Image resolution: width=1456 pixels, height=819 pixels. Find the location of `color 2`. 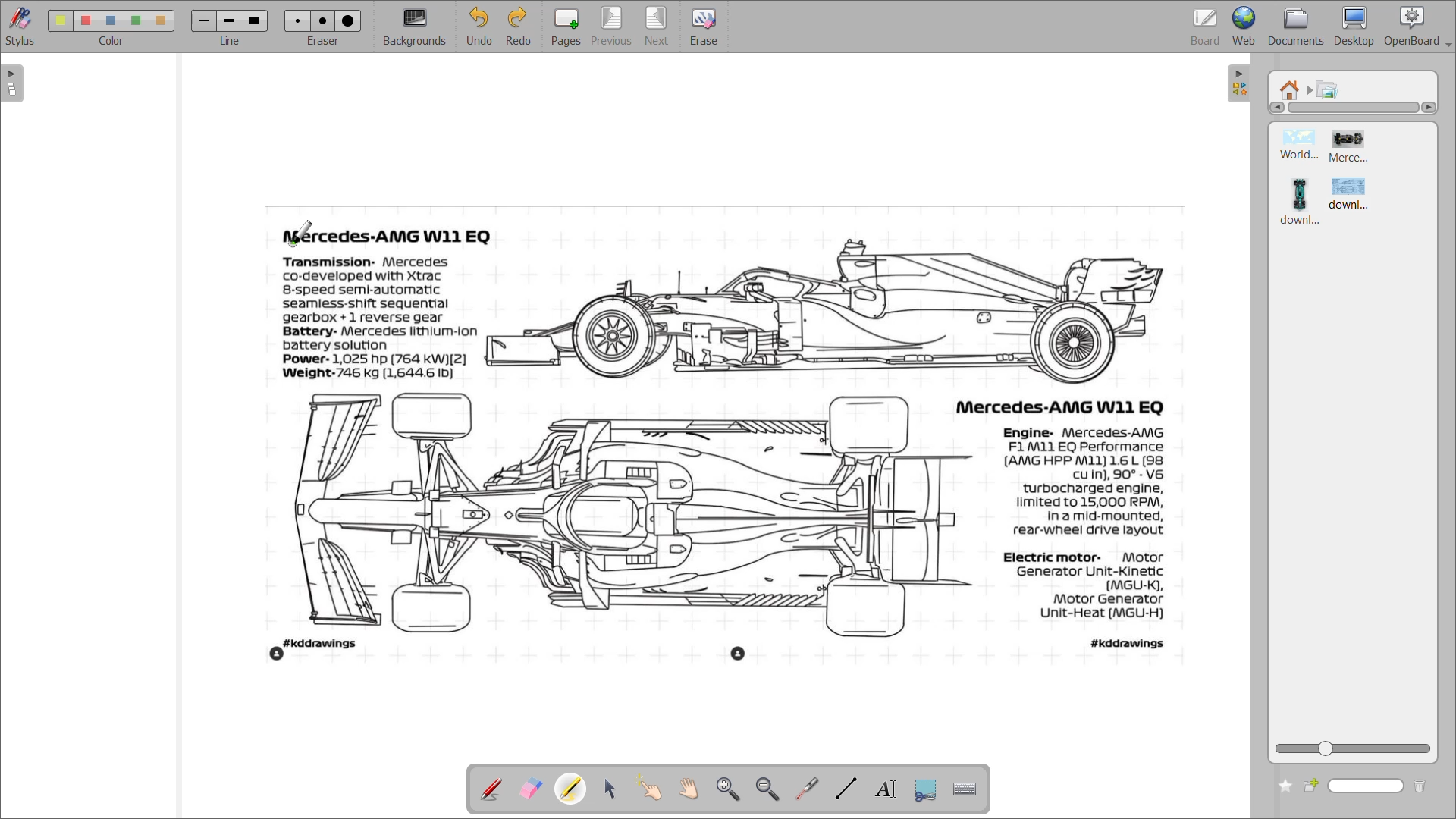

color 2 is located at coordinates (85, 20).